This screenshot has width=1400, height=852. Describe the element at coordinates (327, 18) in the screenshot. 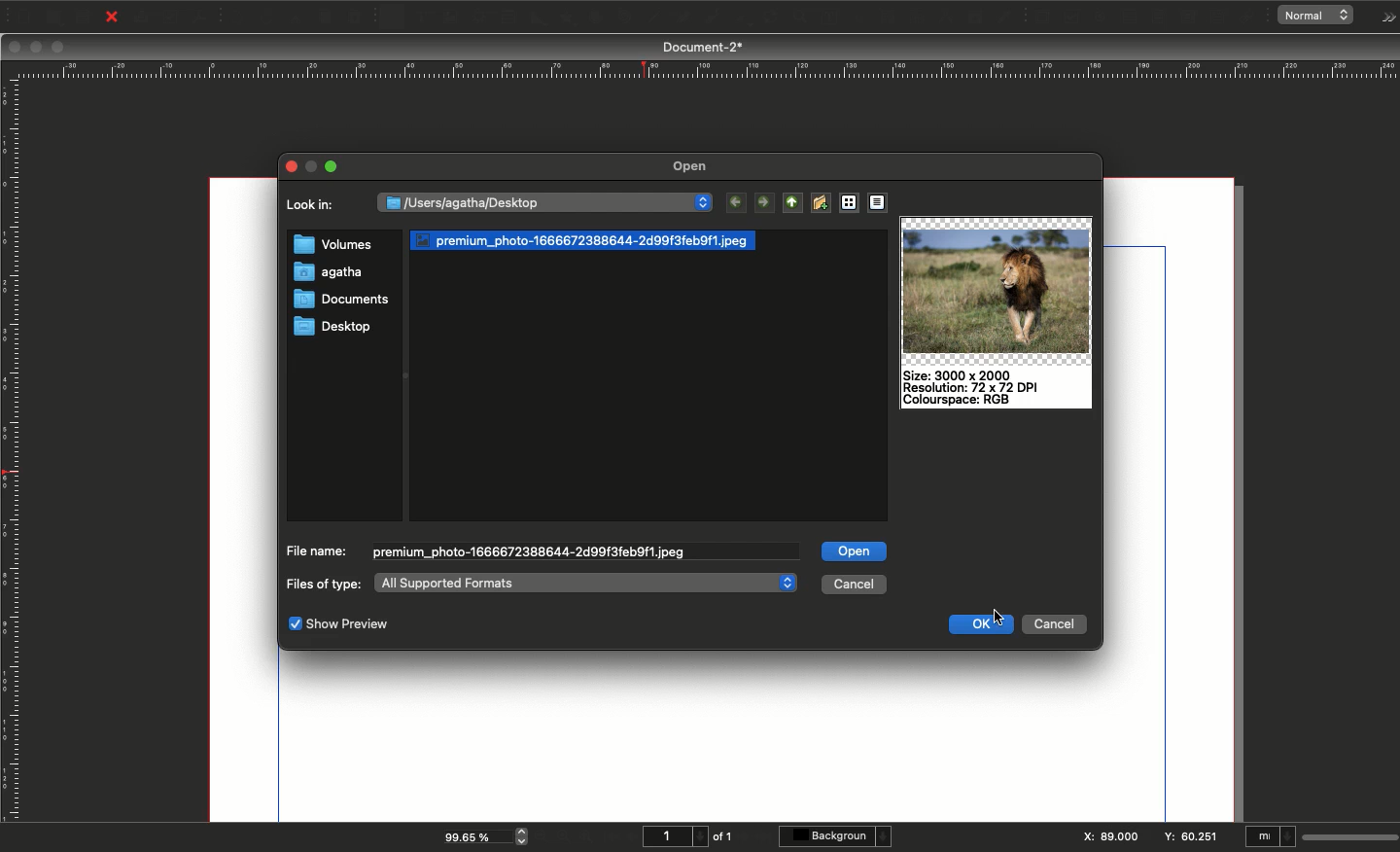

I see `Copy` at that location.